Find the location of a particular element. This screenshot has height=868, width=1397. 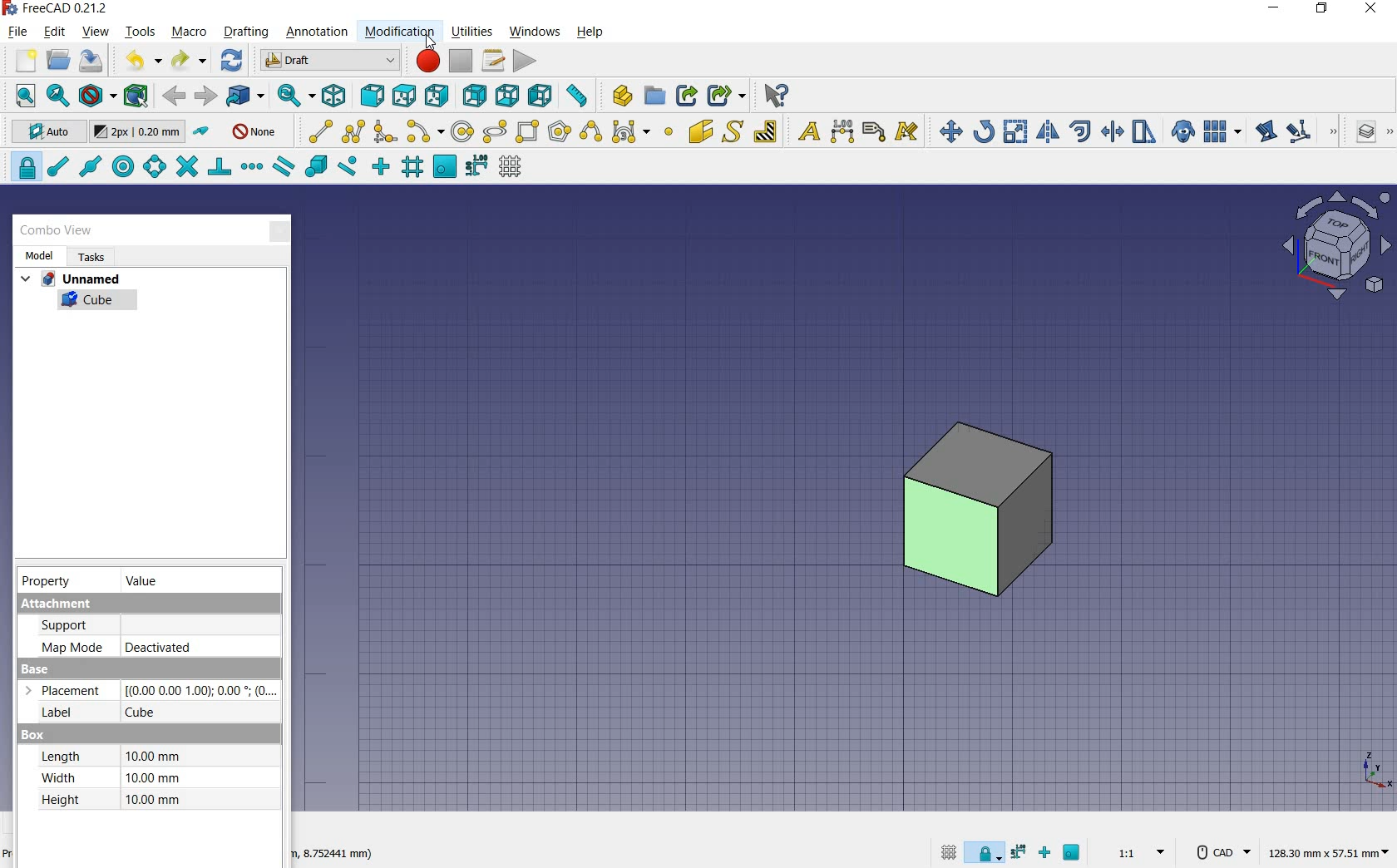

snap parallel is located at coordinates (284, 169).